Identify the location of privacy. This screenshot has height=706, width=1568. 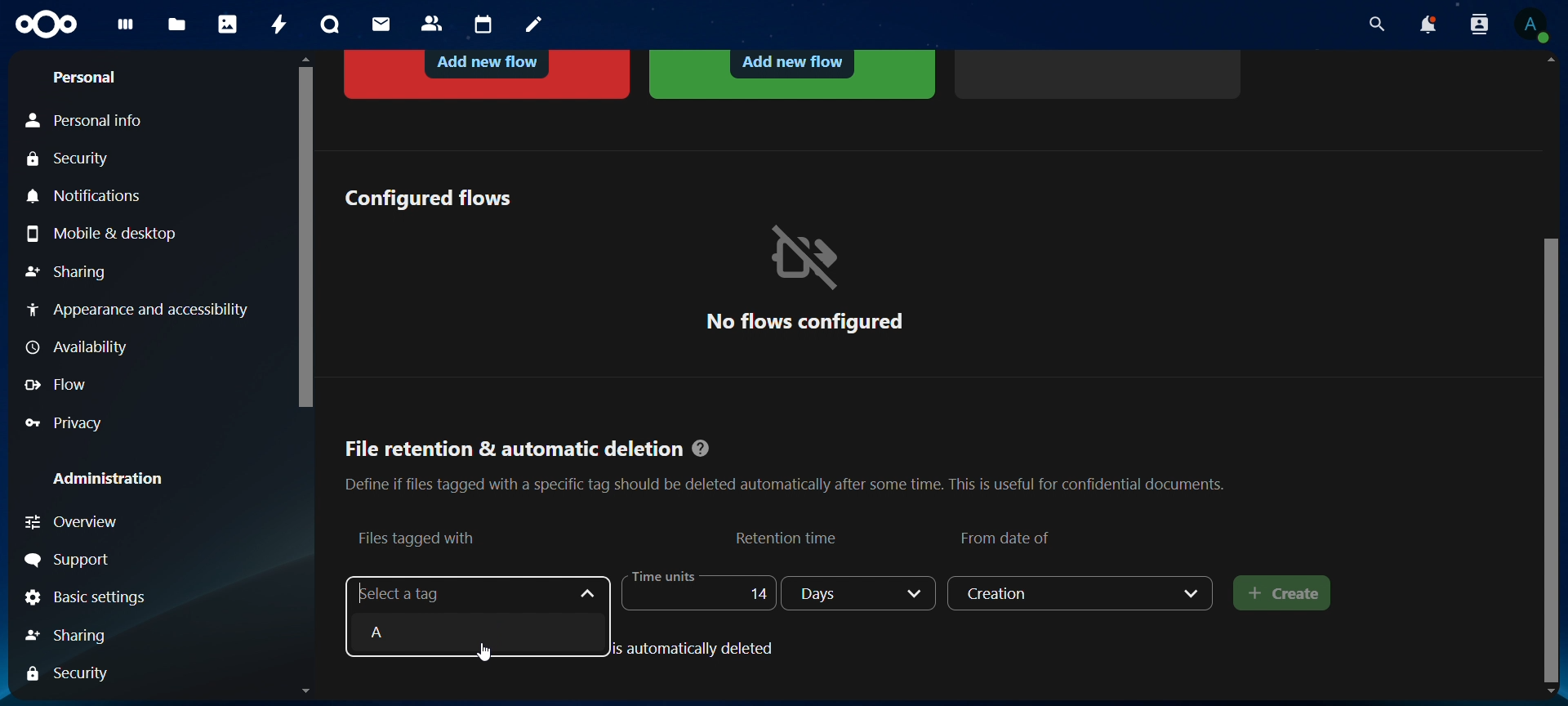
(74, 422).